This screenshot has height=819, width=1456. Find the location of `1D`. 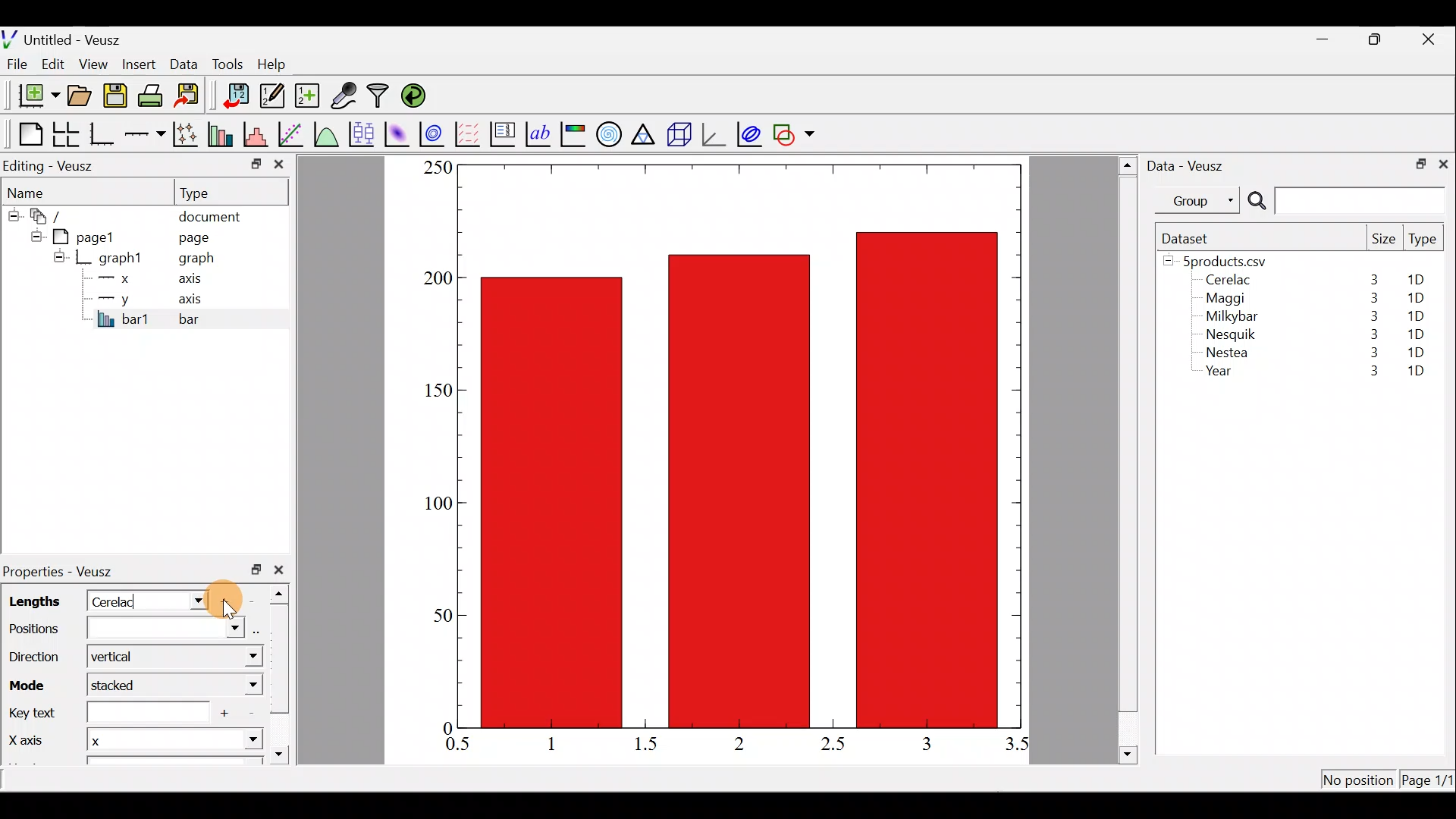

1D is located at coordinates (1416, 372).